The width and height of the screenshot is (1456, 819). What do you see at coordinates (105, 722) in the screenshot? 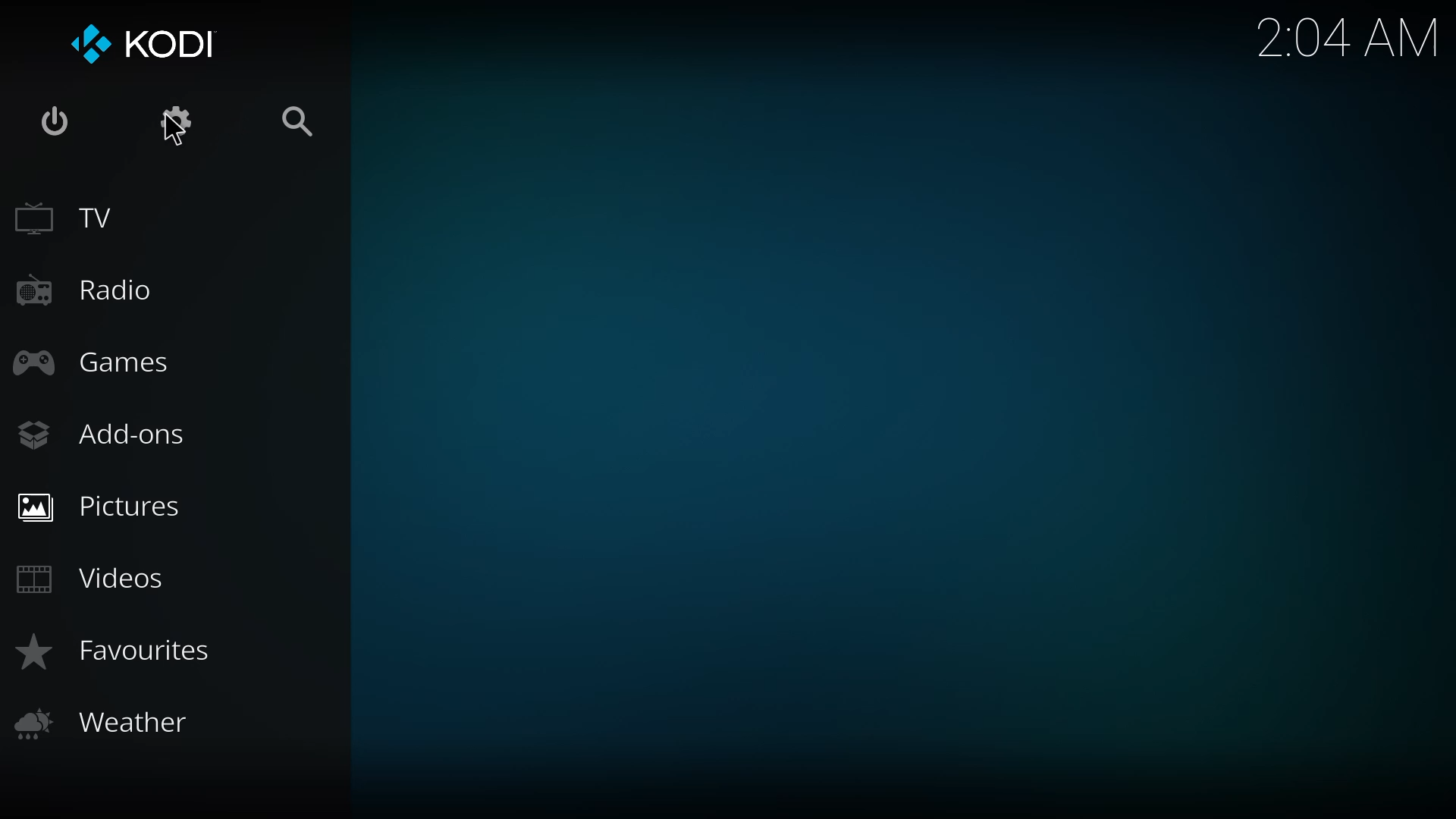
I see `weather` at bounding box center [105, 722].